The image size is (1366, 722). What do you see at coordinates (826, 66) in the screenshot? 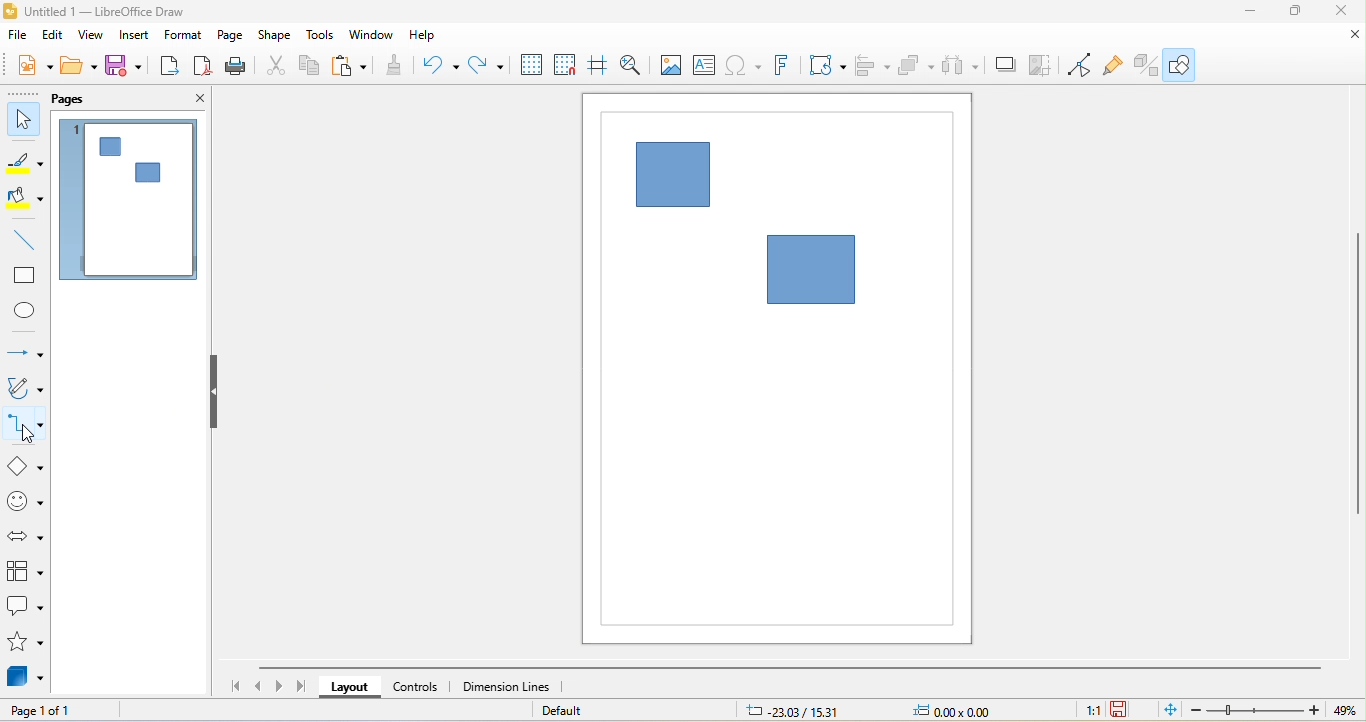
I see `transformation` at bounding box center [826, 66].